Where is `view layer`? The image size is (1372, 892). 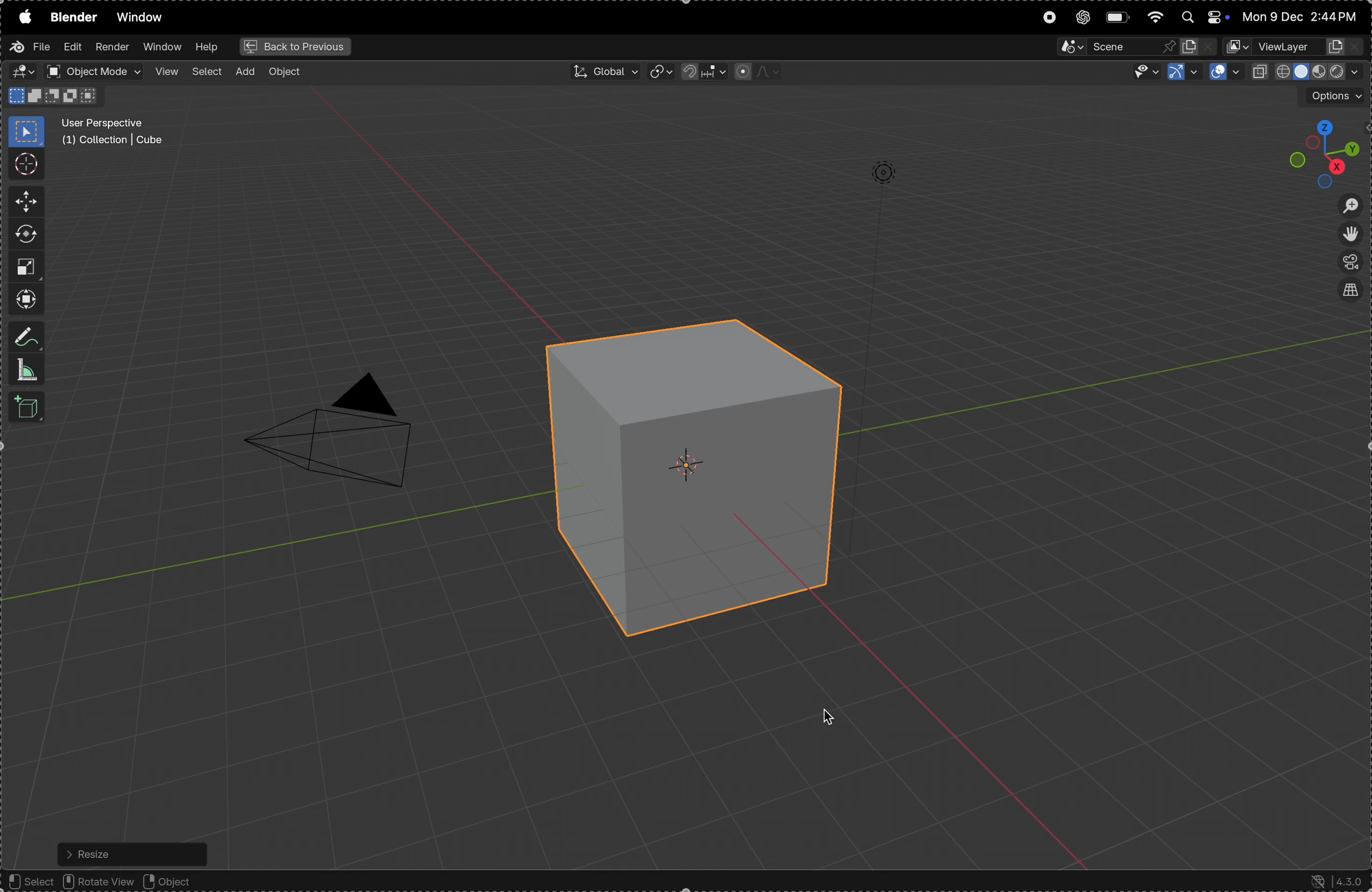
view layer is located at coordinates (1297, 48).